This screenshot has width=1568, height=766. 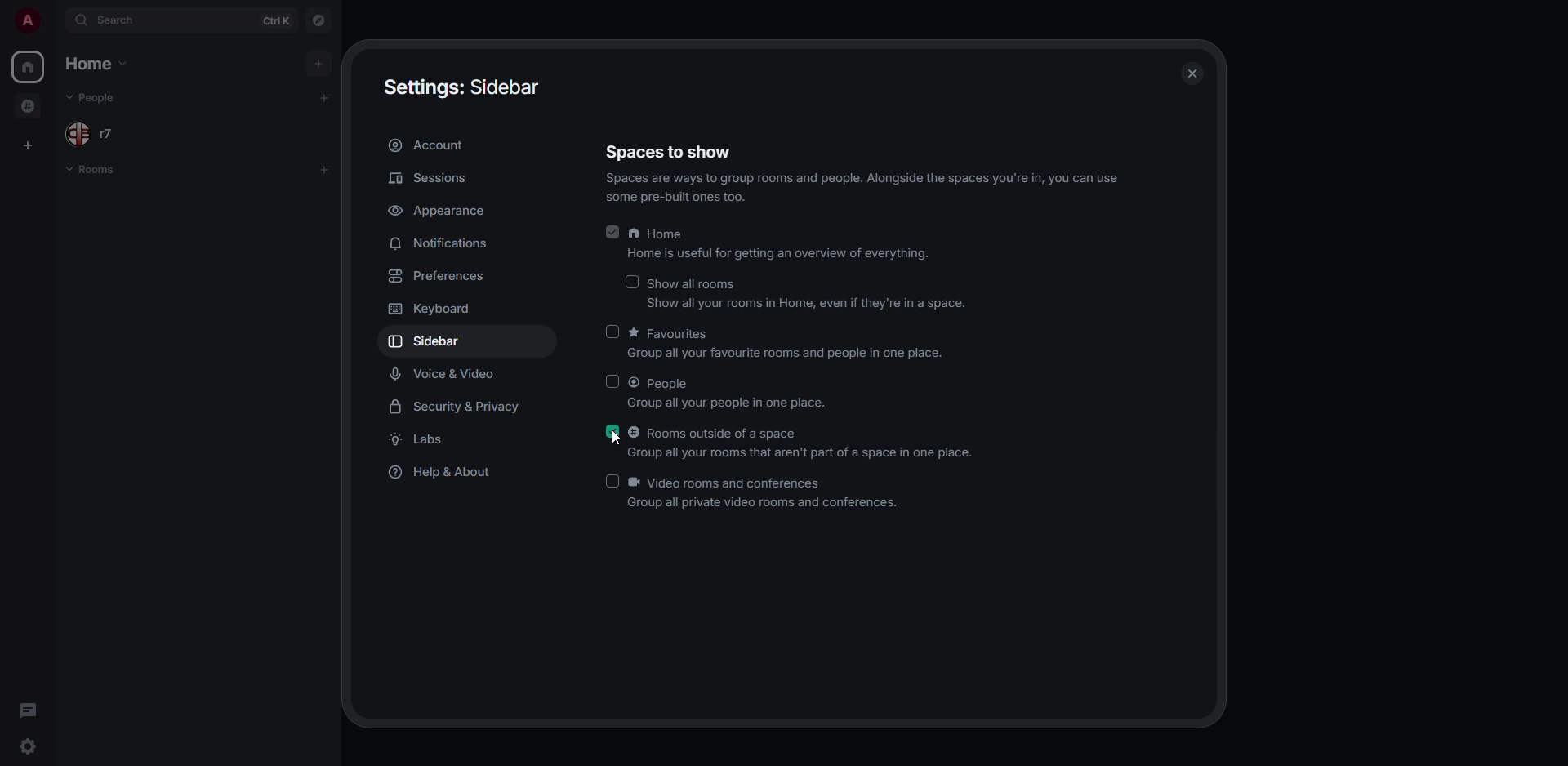 I want to click on people, so click(x=91, y=133).